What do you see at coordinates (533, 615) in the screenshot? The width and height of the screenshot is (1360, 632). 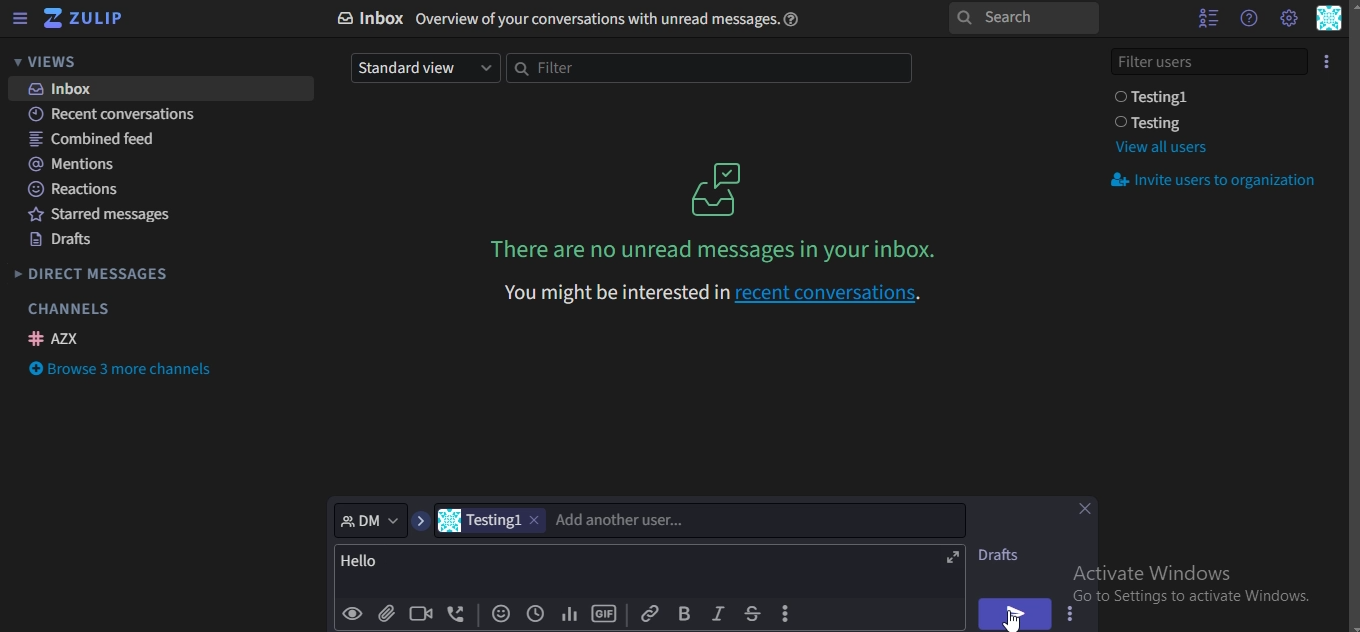 I see `add global time` at bounding box center [533, 615].